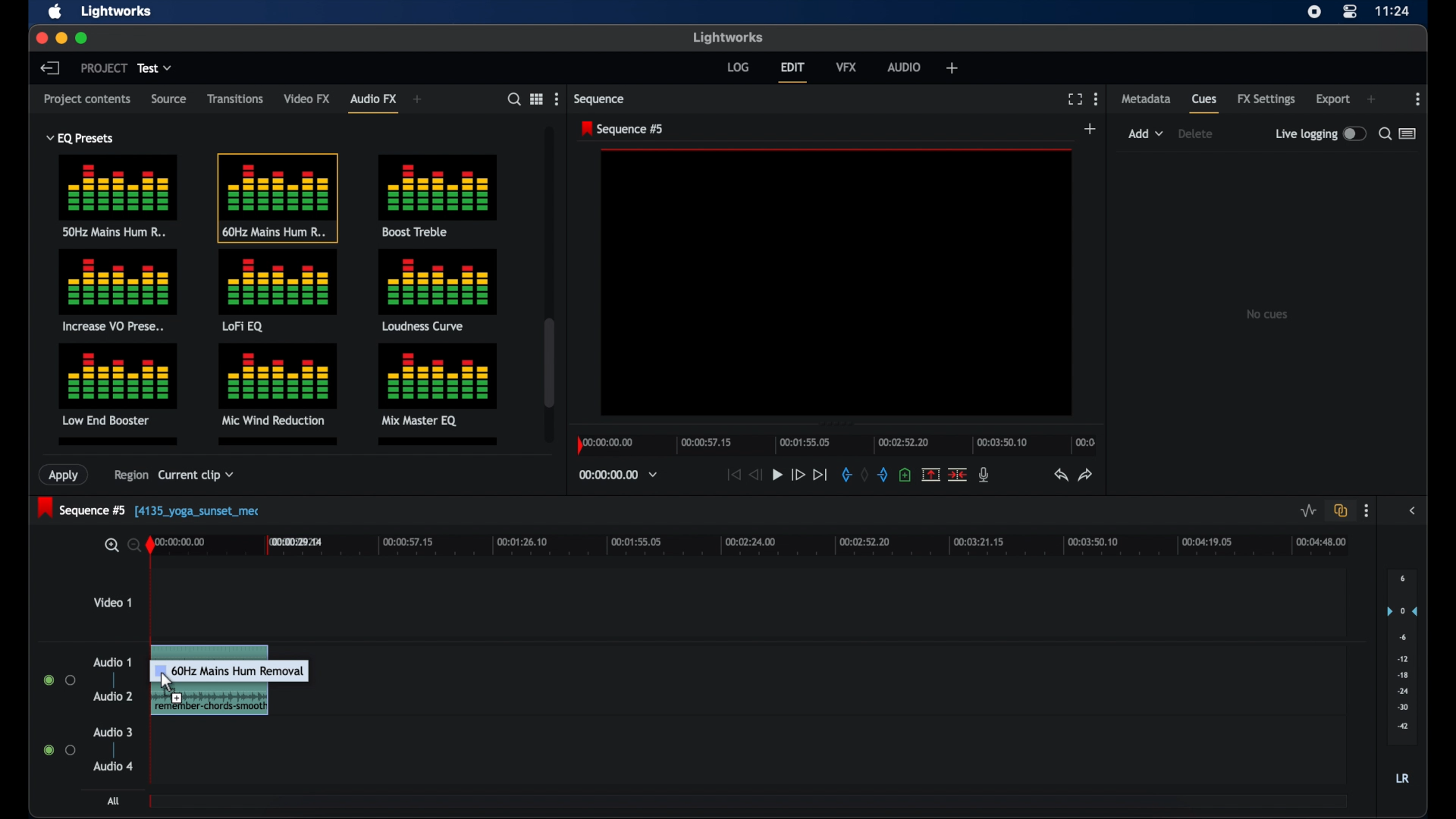 The image size is (1456, 819). I want to click on lofi eq, so click(278, 291).